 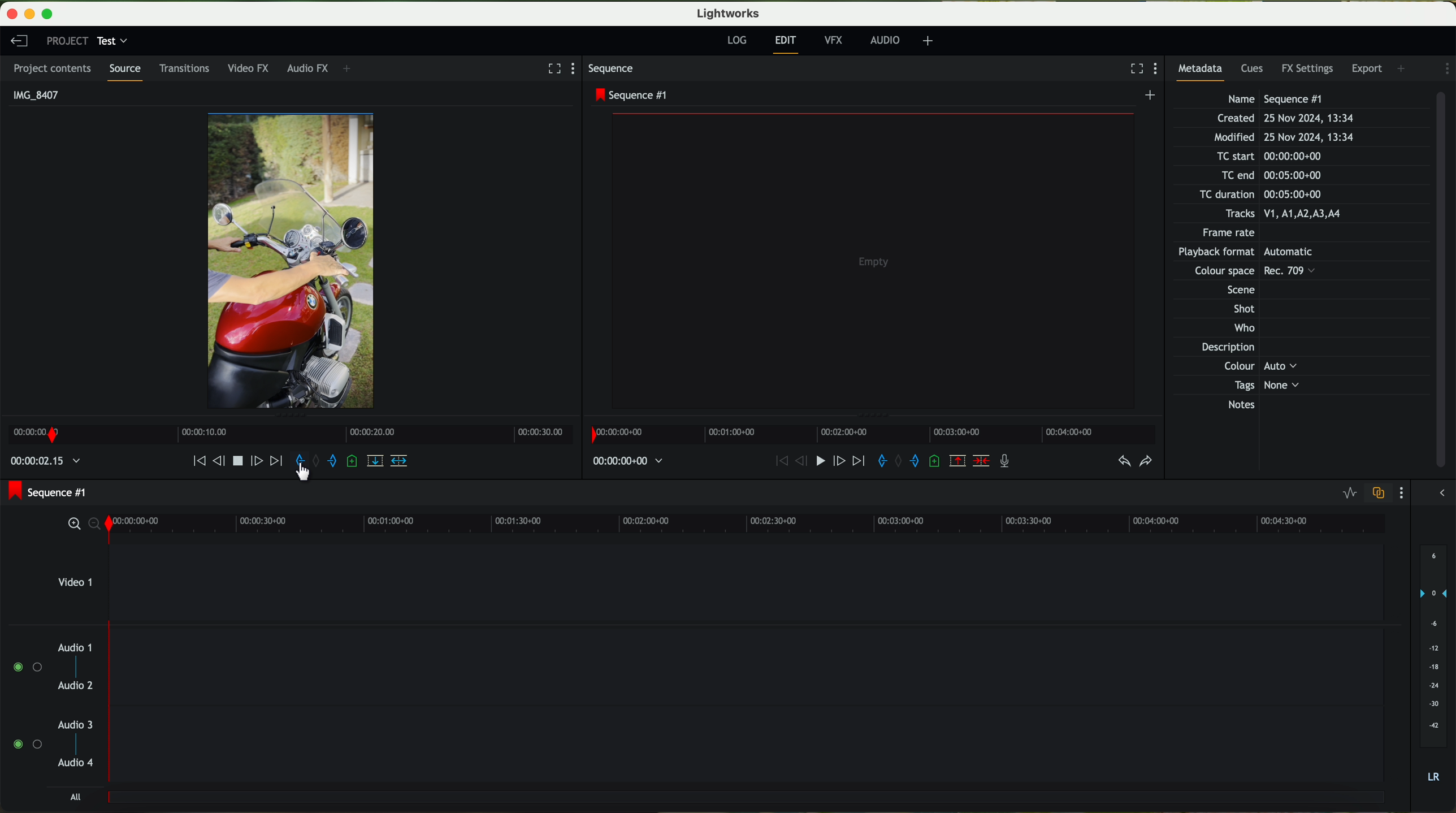 What do you see at coordinates (400, 460) in the screenshot?
I see `insert into the target sequence` at bounding box center [400, 460].